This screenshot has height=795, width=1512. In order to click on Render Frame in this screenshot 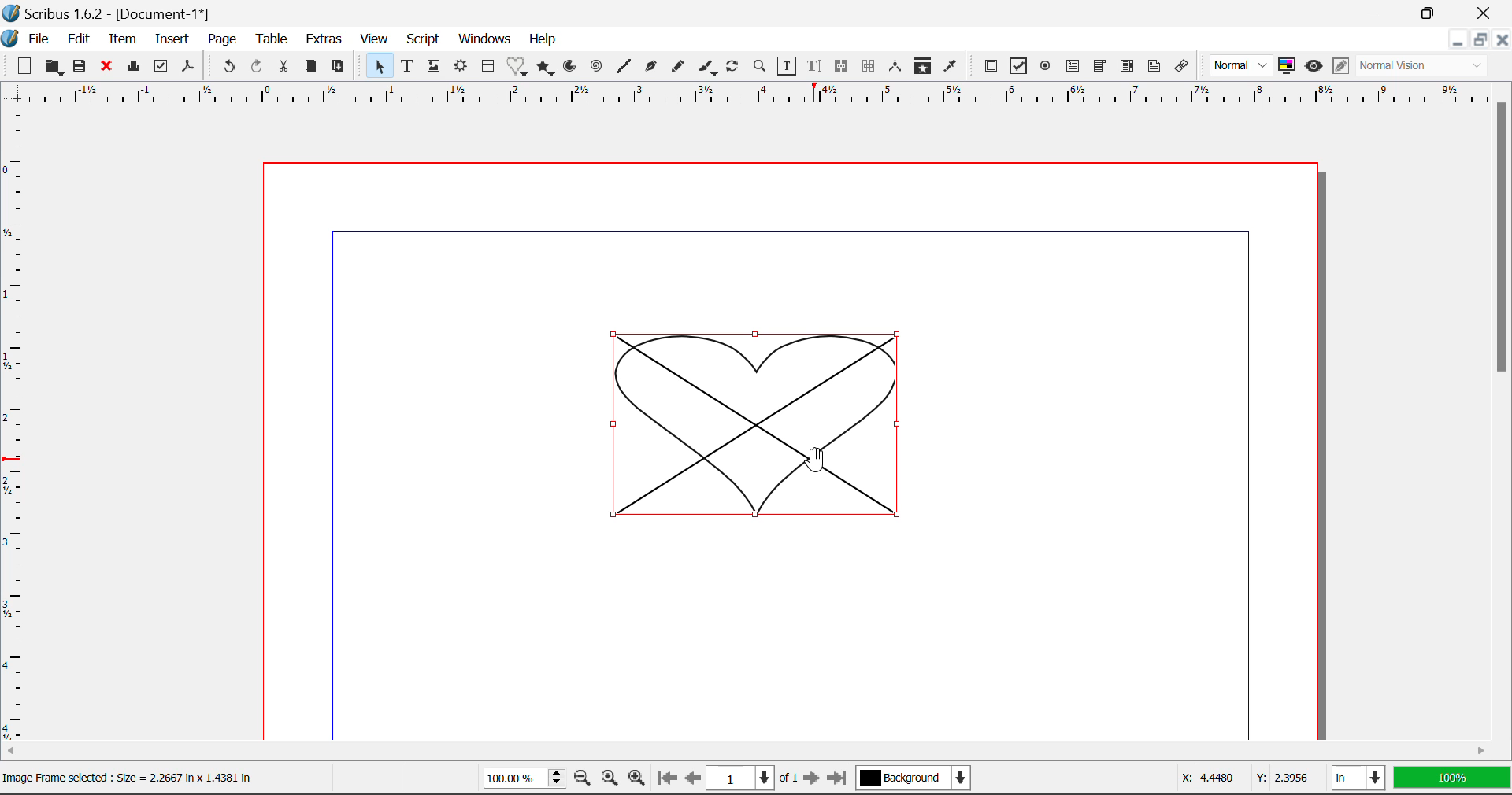, I will do `click(461, 67)`.